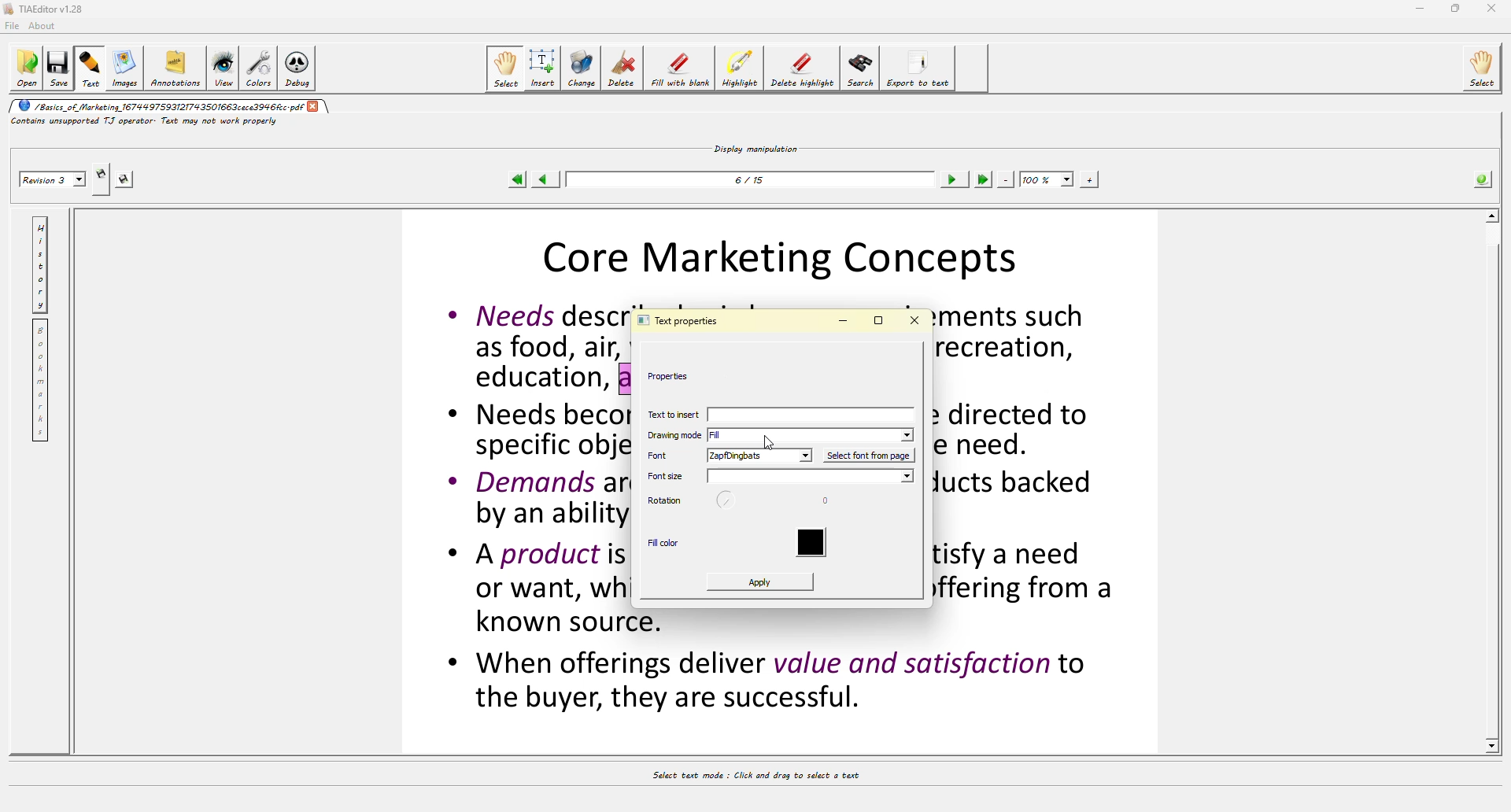 This screenshot has width=1511, height=812. Describe the element at coordinates (1046, 179) in the screenshot. I see `100%` at that location.